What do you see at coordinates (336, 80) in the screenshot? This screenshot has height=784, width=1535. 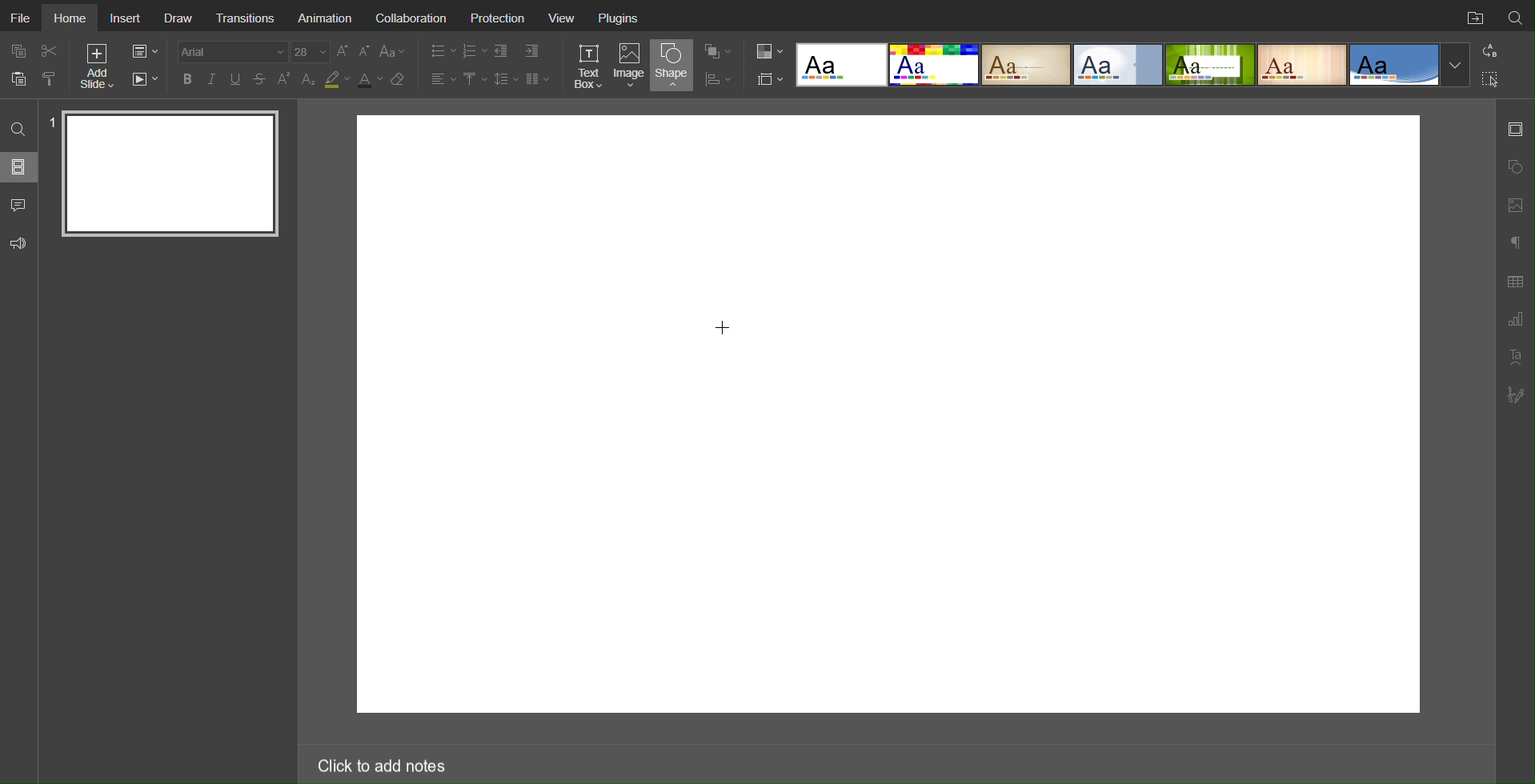 I see `Highlight` at bounding box center [336, 80].